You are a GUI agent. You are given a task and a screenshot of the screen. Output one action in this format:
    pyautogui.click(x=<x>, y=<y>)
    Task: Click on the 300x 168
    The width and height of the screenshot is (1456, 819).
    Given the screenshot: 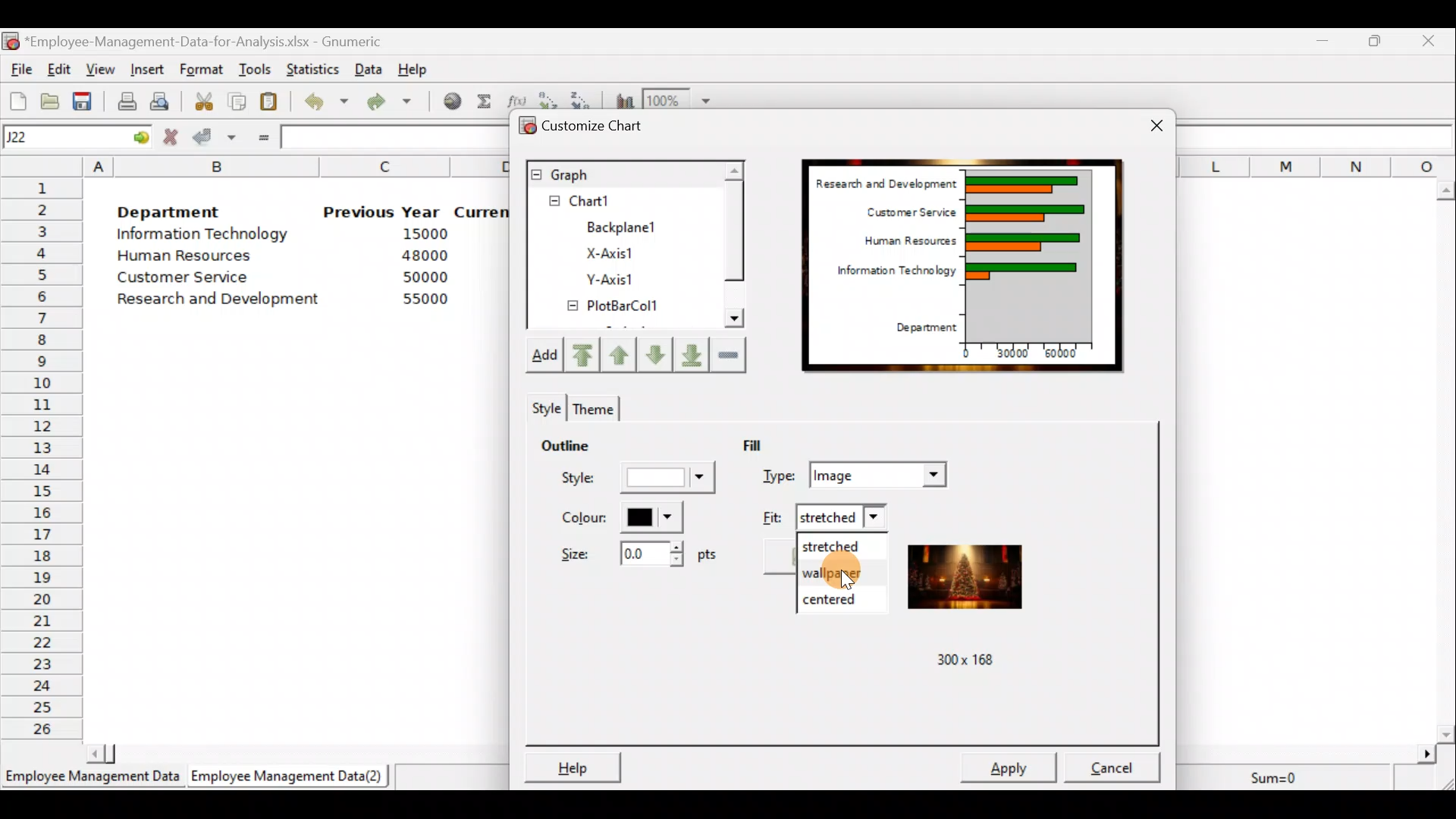 What is the action you would take?
    pyautogui.click(x=956, y=661)
    